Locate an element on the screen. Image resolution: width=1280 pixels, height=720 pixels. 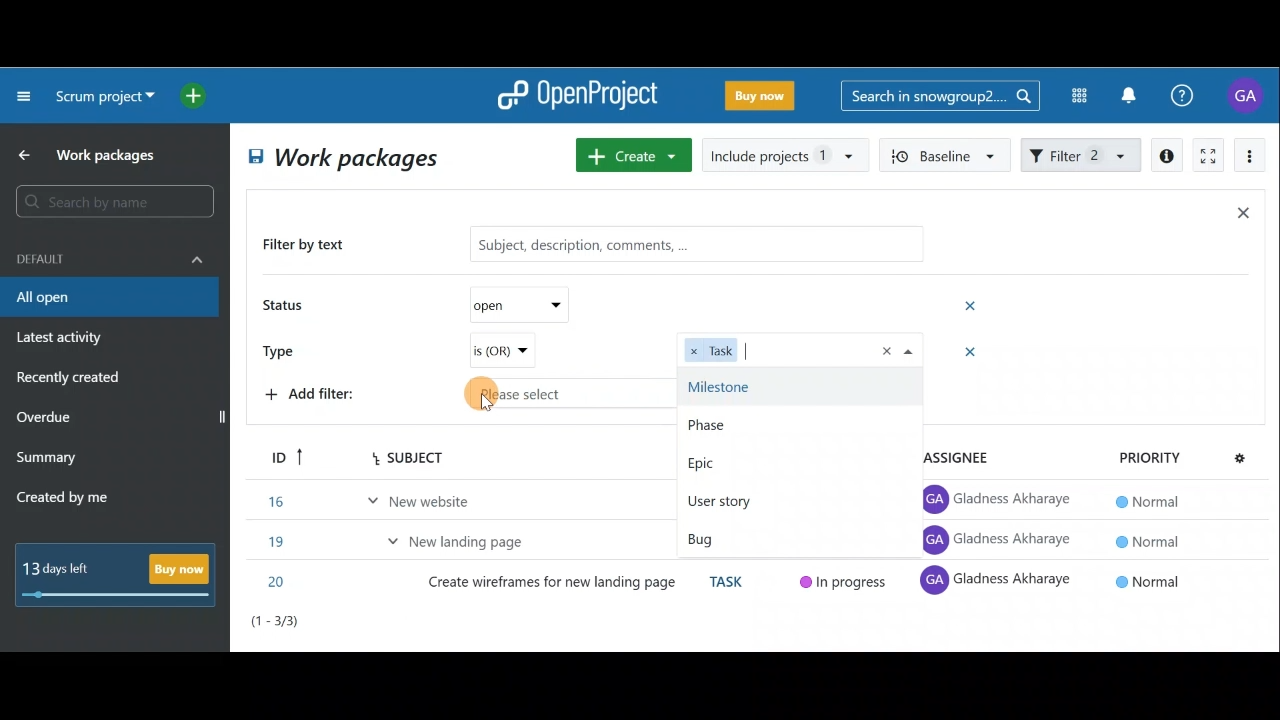
Subject, description, comments is located at coordinates (688, 247).